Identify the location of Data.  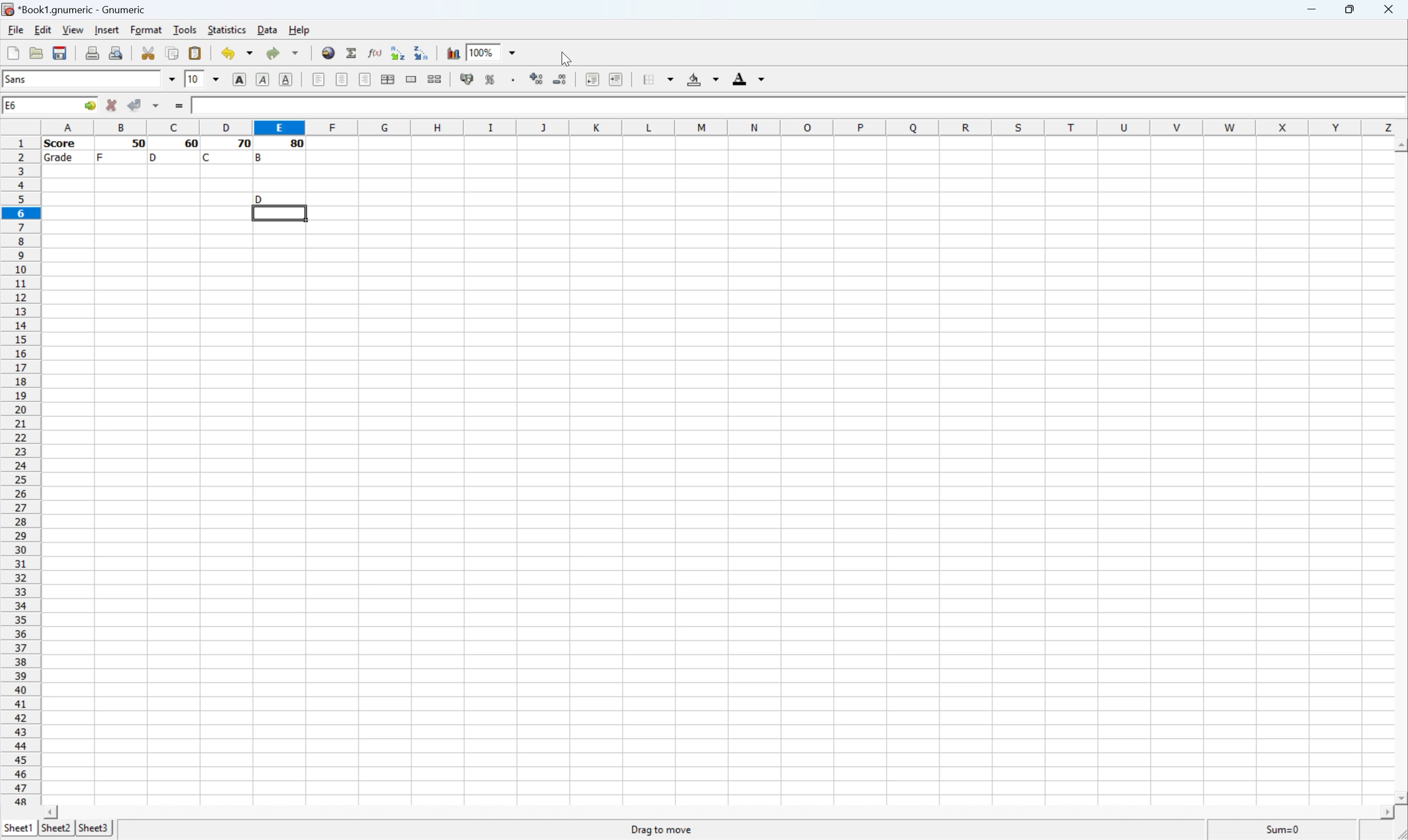
(266, 29).